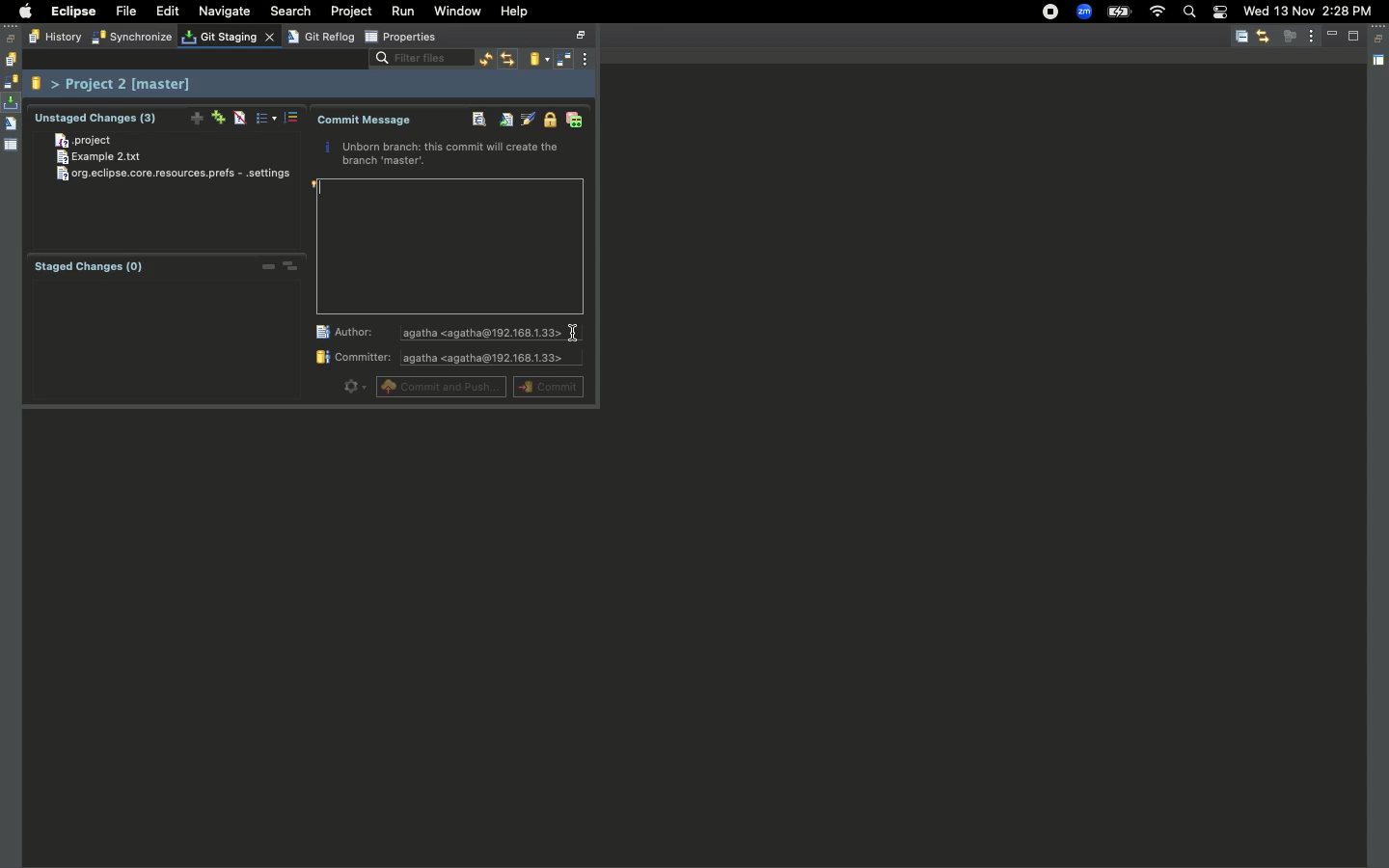 Image resolution: width=1389 pixels, height=868 pixels. I want to click on Sort by state, so click(294, 118).